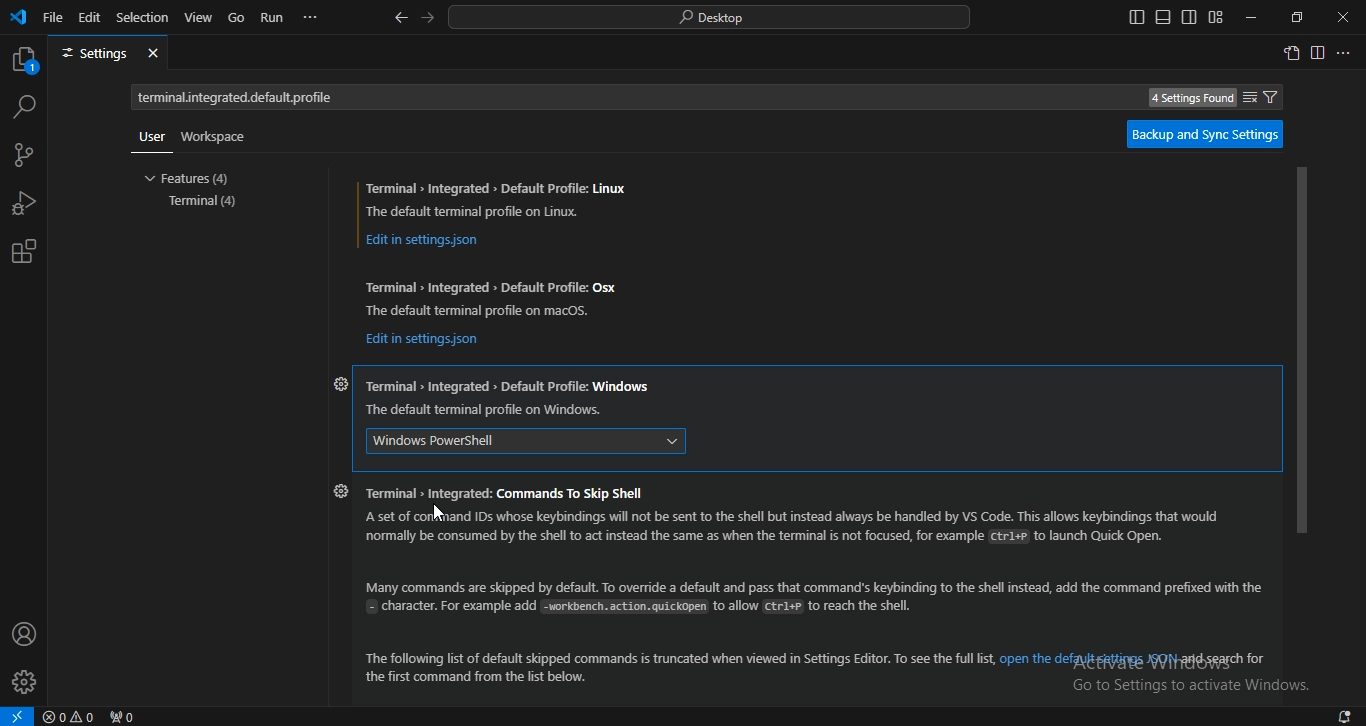 The image size is (1366, 726). Describe the element at coordinates (218, 135) in the screenshot. I see `workspace` at that location.